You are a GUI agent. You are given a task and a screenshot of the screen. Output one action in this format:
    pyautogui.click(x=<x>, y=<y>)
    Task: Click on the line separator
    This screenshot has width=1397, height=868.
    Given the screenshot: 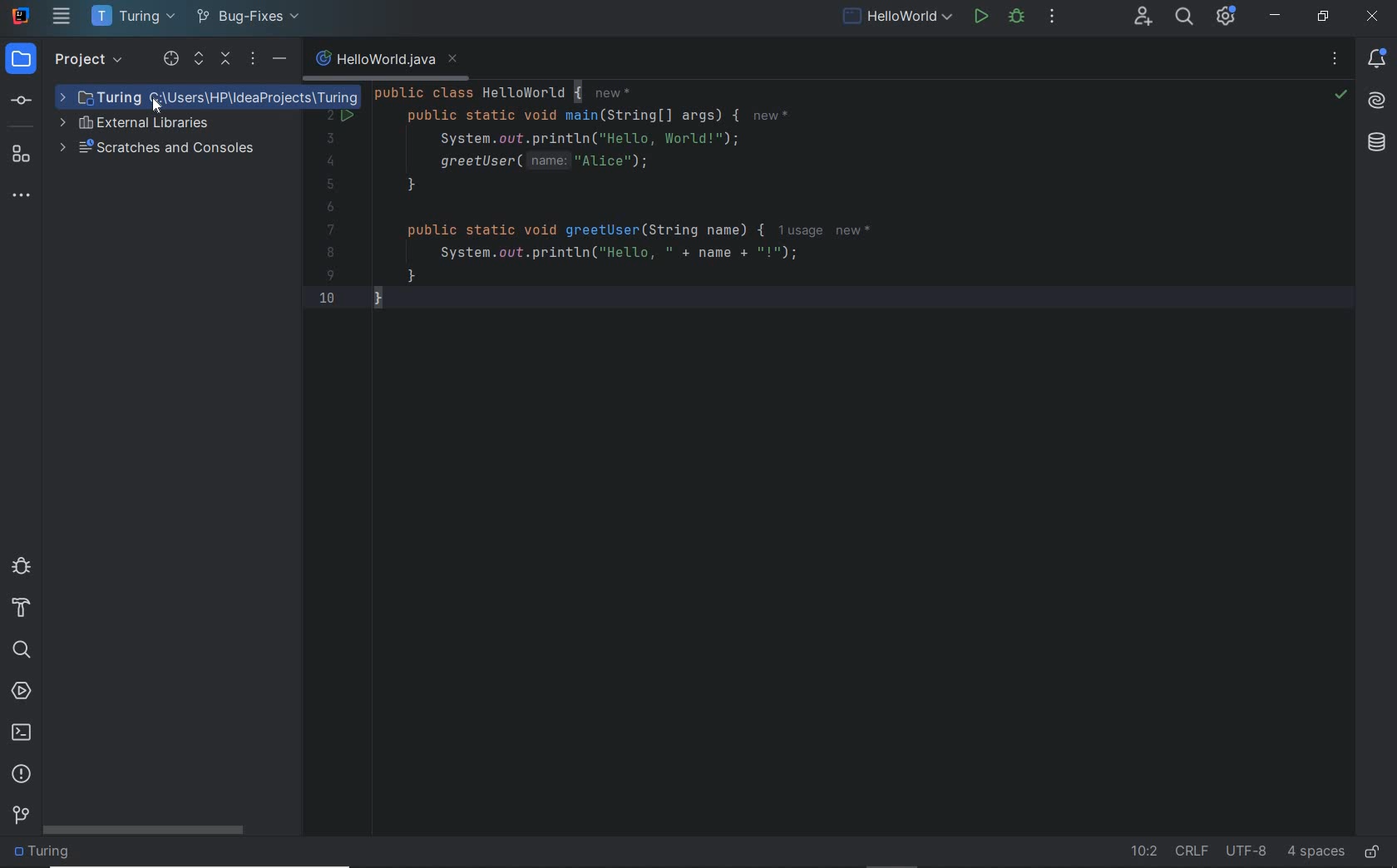 What is the action you would take?
    pyautogui.click(x=1194, y=852)
    